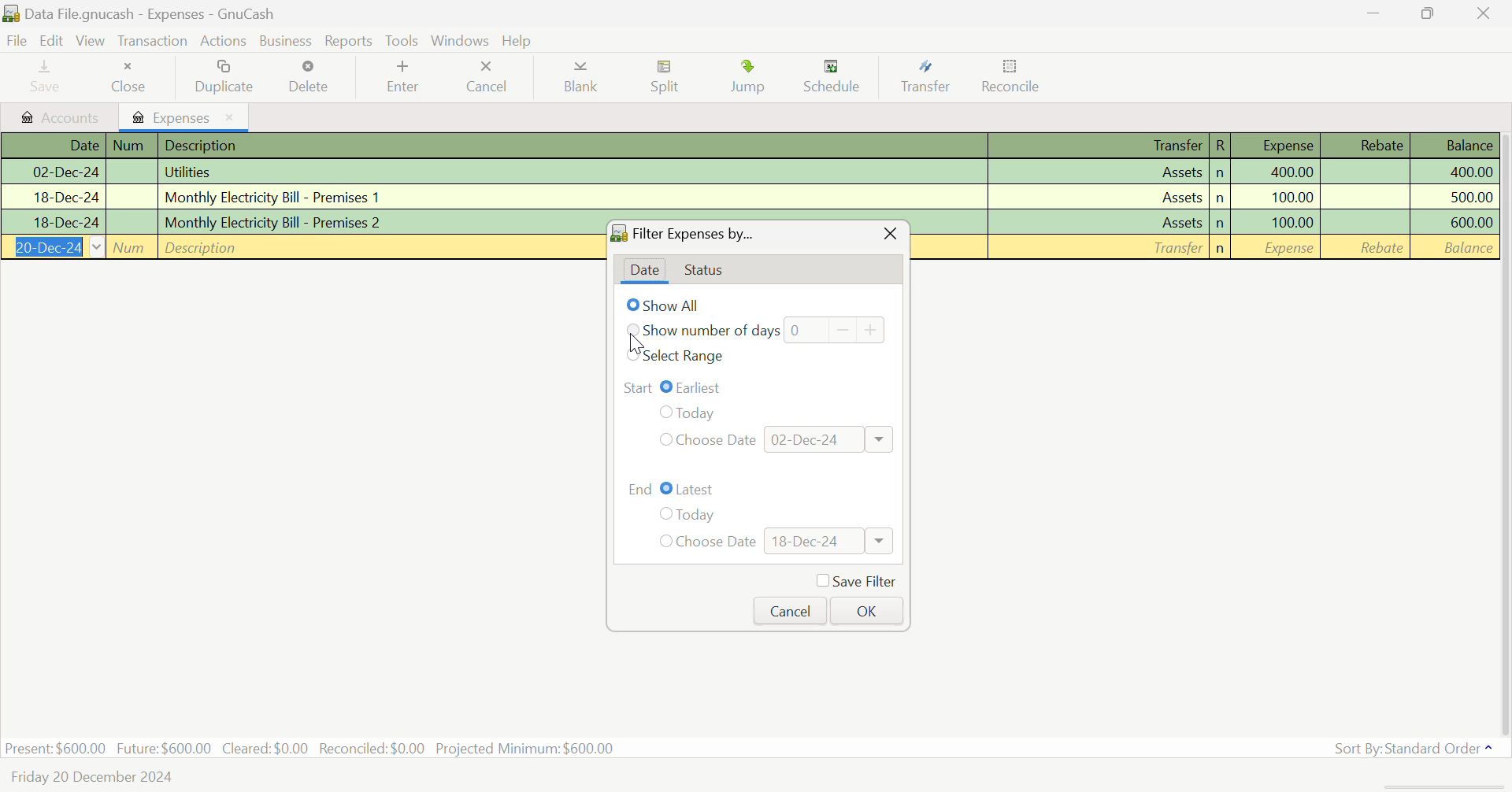  I want to click on n, so click(1221, 250).